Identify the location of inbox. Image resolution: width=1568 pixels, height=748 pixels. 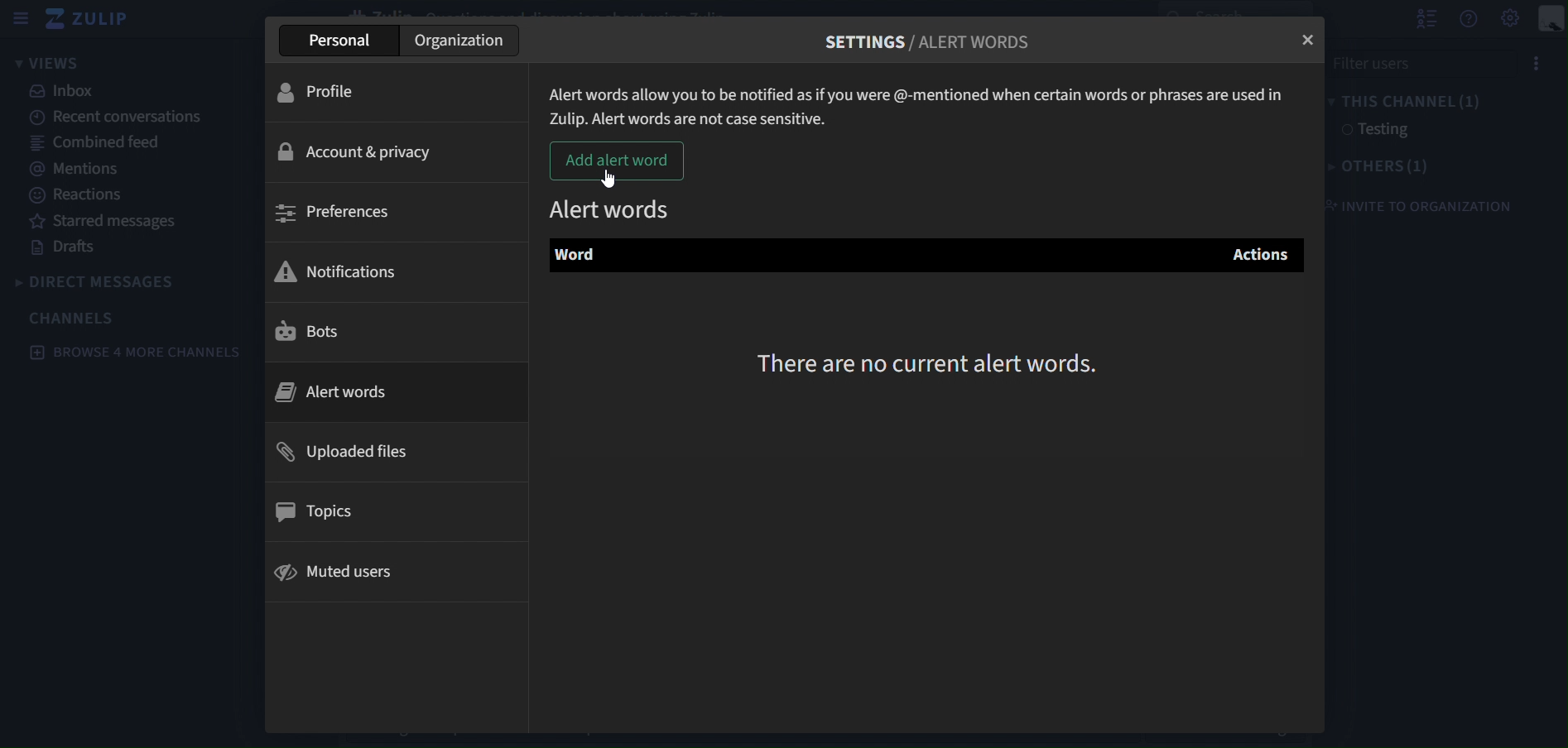
(64, 93).